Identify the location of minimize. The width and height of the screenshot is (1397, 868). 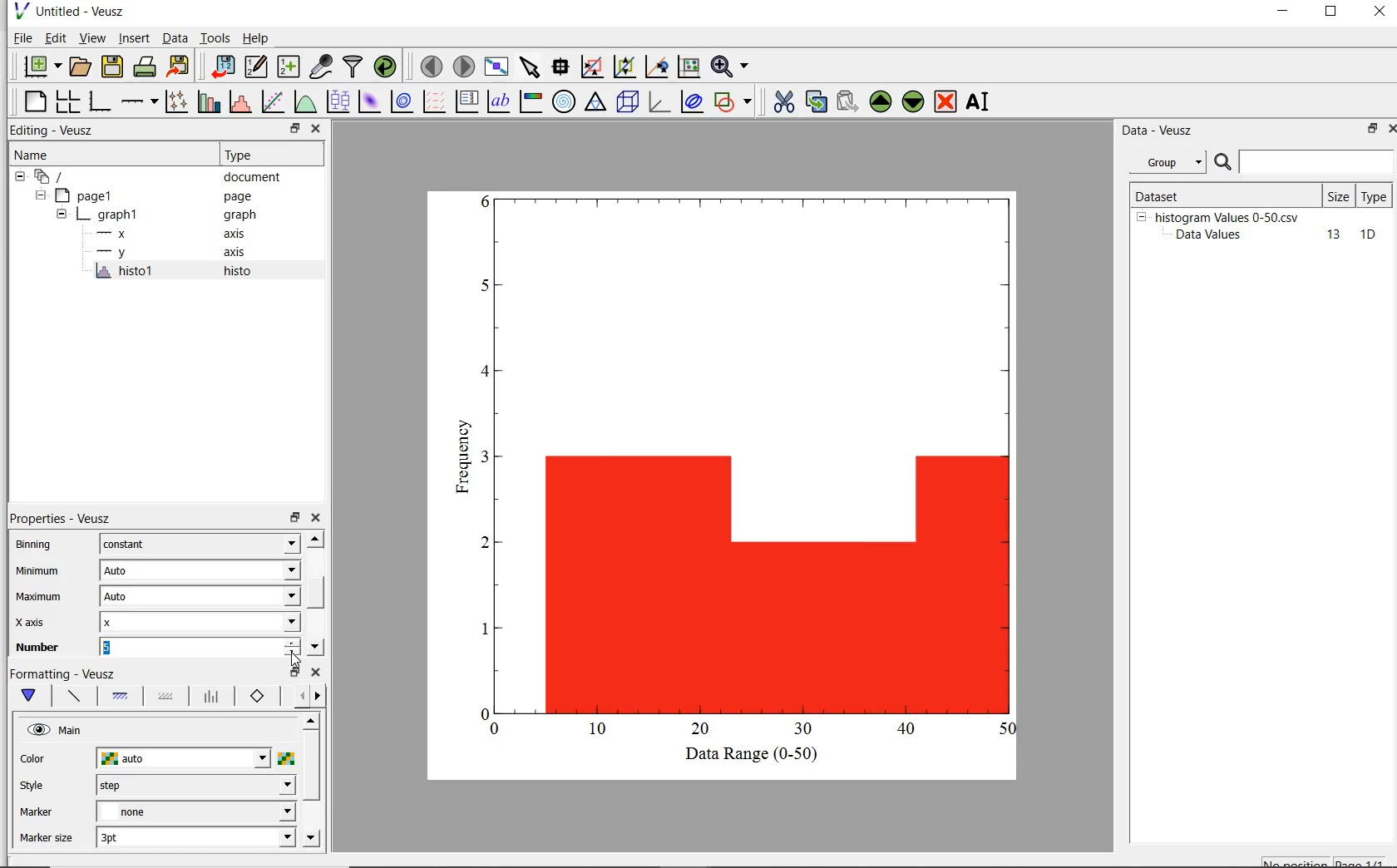
(1284, 13).